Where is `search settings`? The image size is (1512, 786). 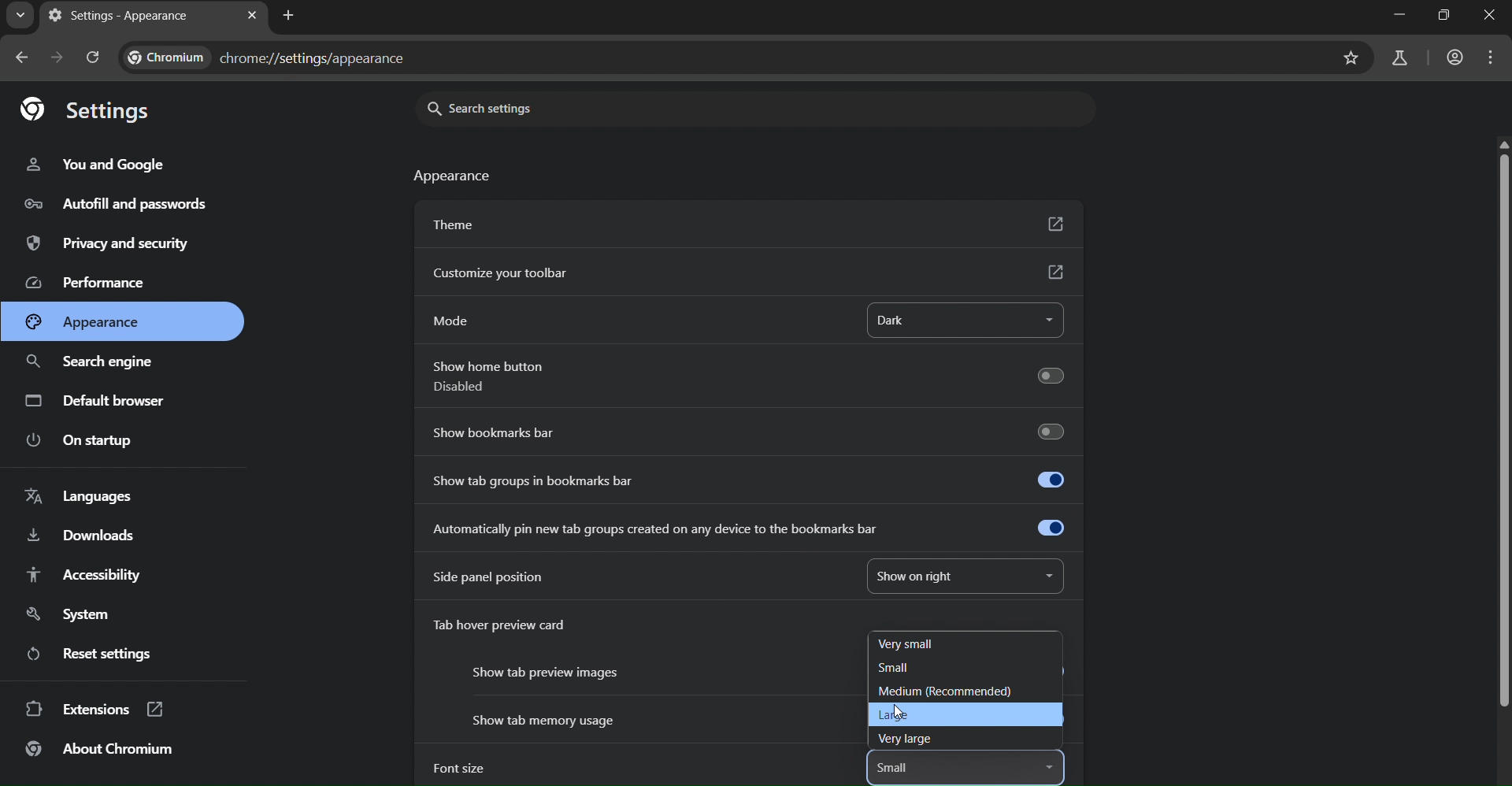
search settings is located at coordinates (506, 108).